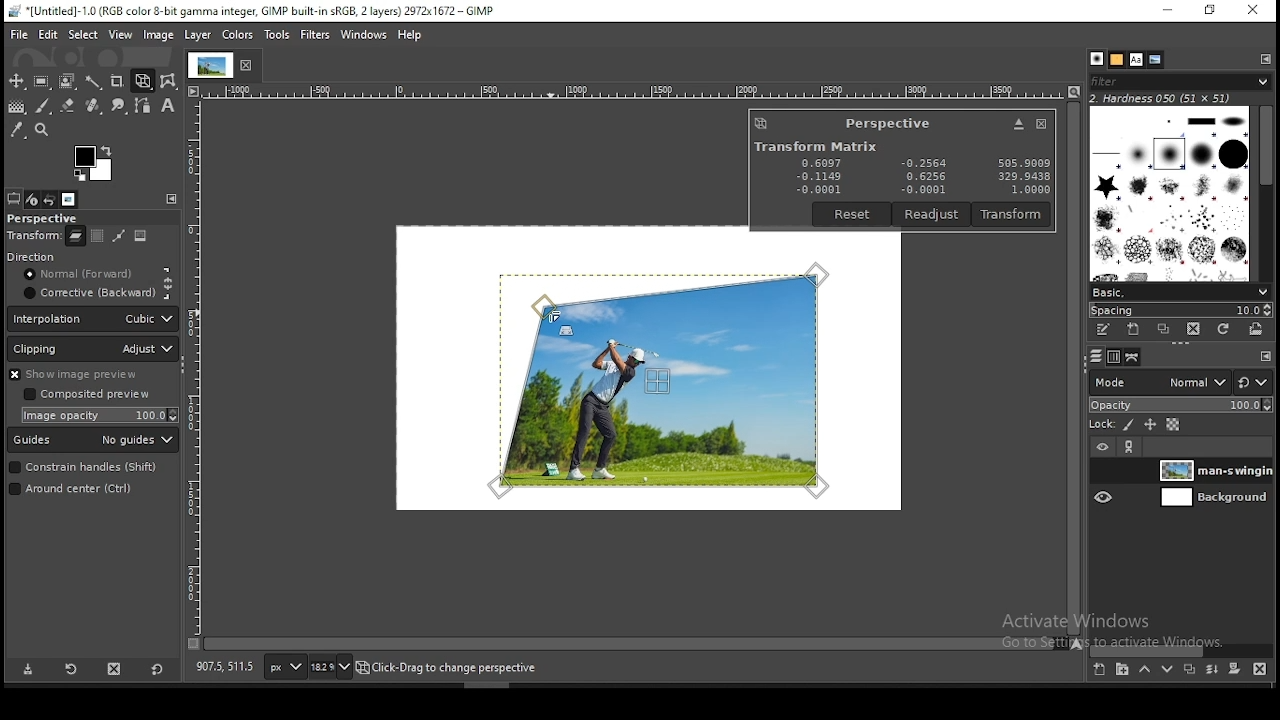 The image size is (1280, 720). What do you see at coordinates (1172, 426) in the screenshot?
I see `lock alpha channel` at bounding box center [1172, 426].